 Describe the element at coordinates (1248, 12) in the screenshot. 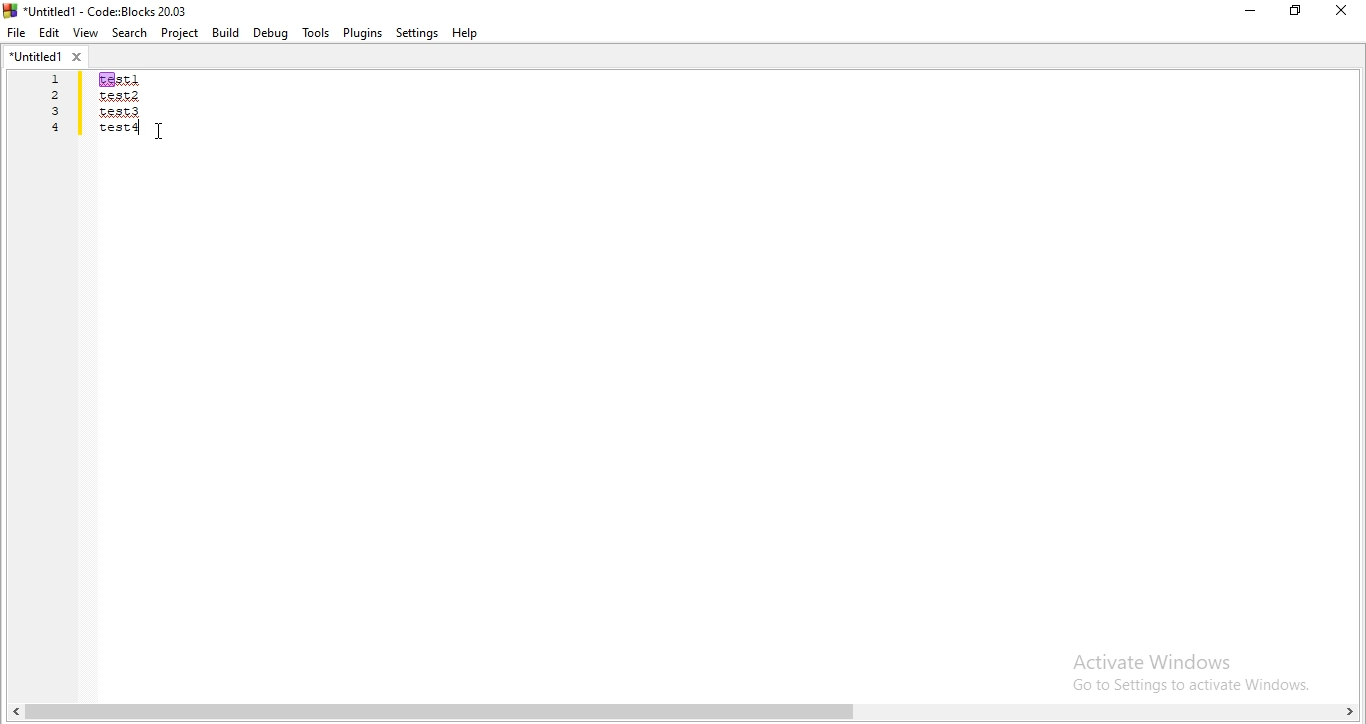

I see `minimize` at that location.